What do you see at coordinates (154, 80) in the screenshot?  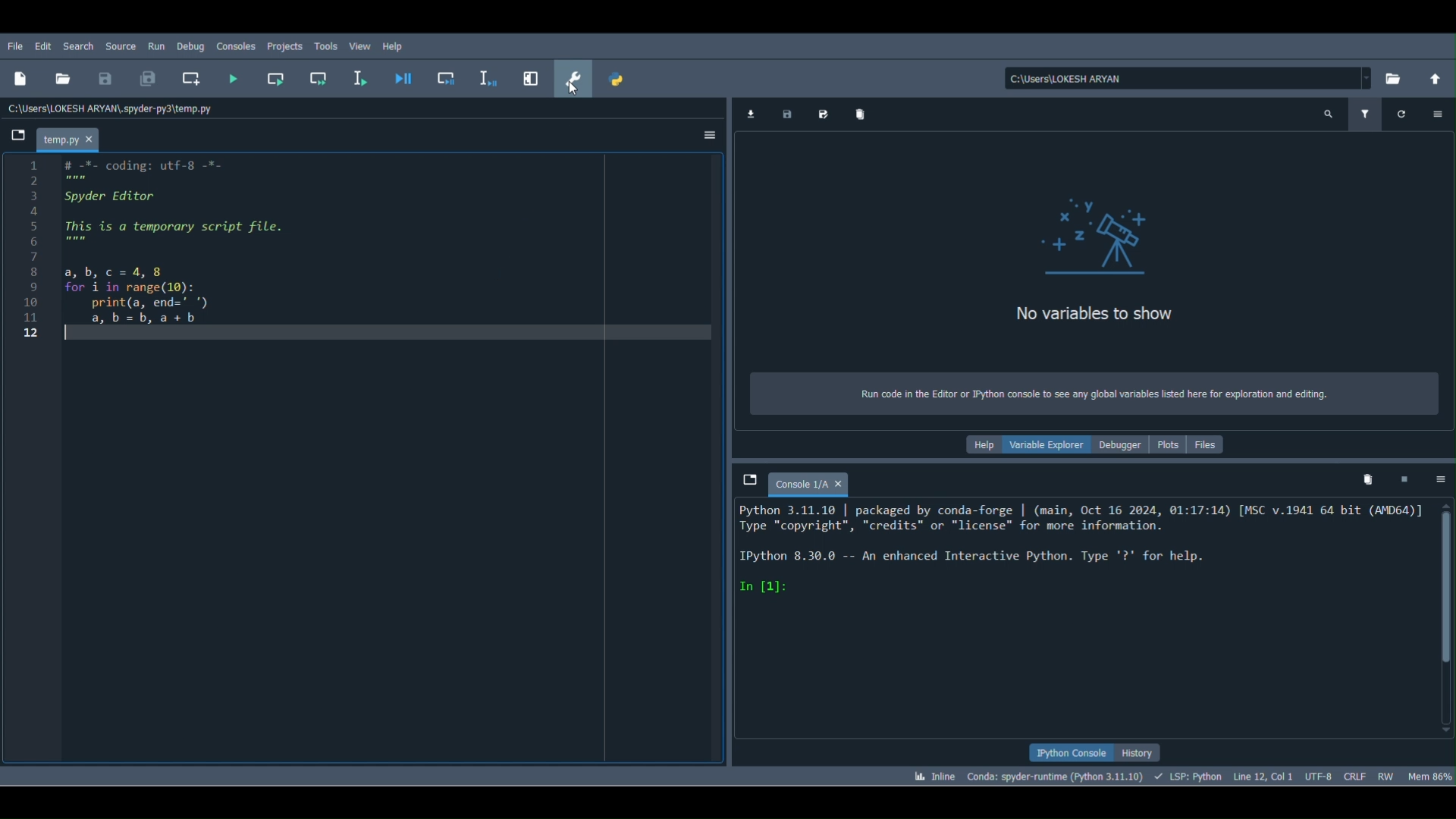 I see `Save all (Ctrl + Alt + S)` at bounding box center [154, 80].